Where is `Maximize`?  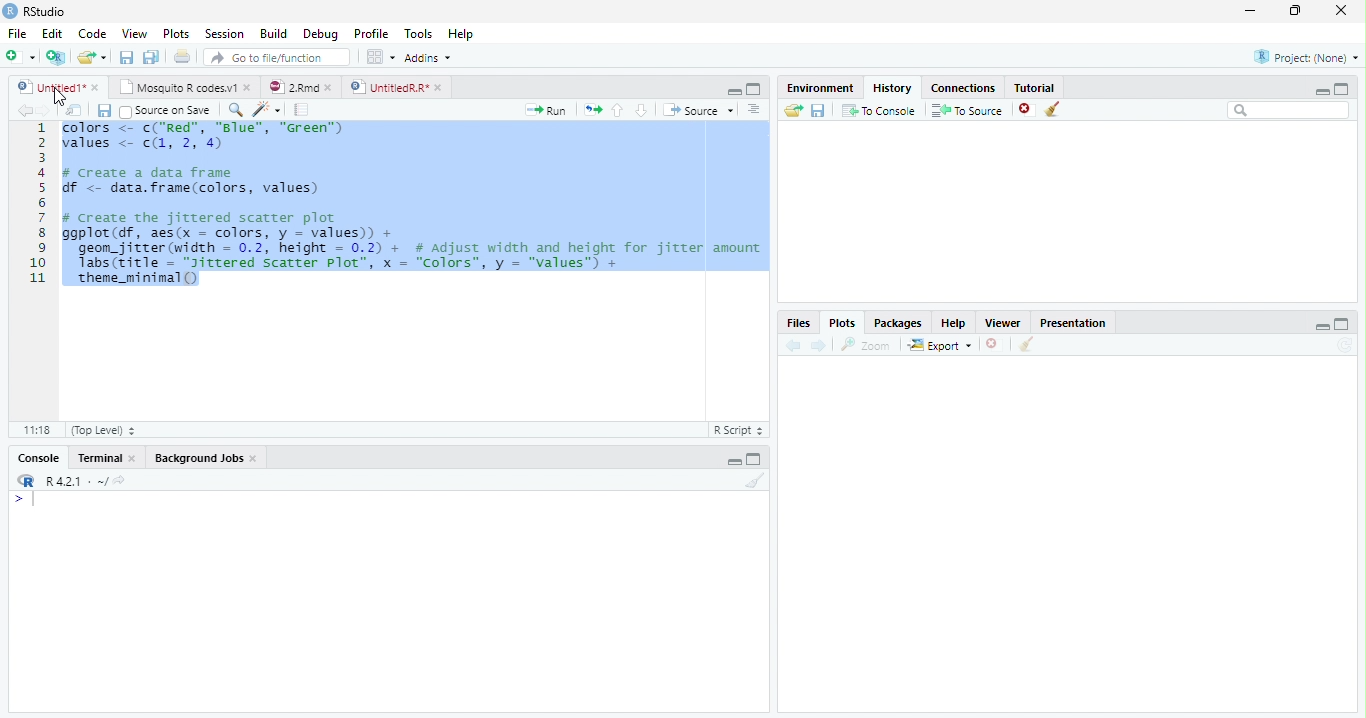 Maximize is located at coordinates (754, 458).